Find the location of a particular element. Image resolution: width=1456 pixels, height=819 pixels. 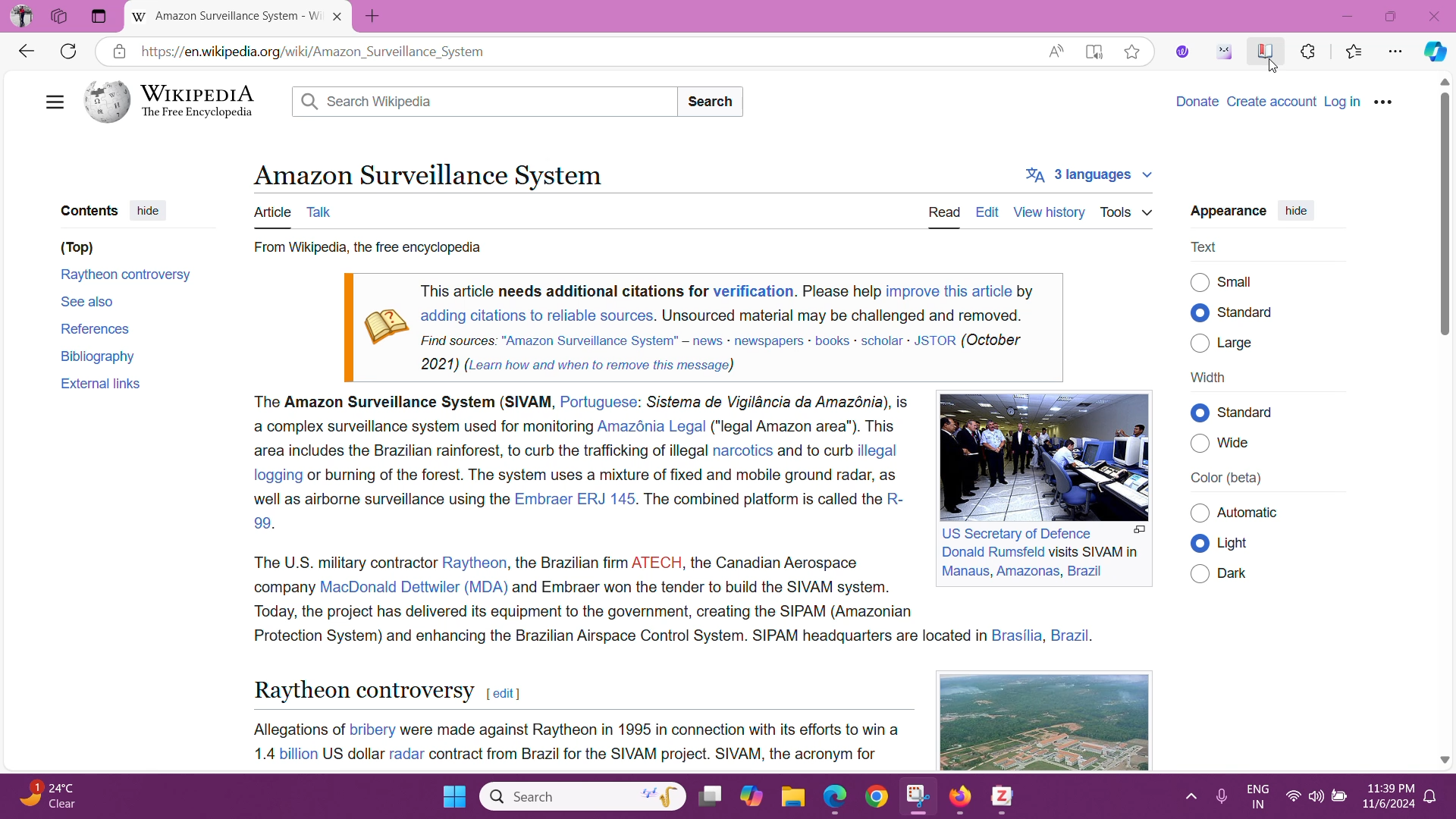

© ScuiClaly Of Ucicnce Co © Light is located at coordinates (1238, 542).